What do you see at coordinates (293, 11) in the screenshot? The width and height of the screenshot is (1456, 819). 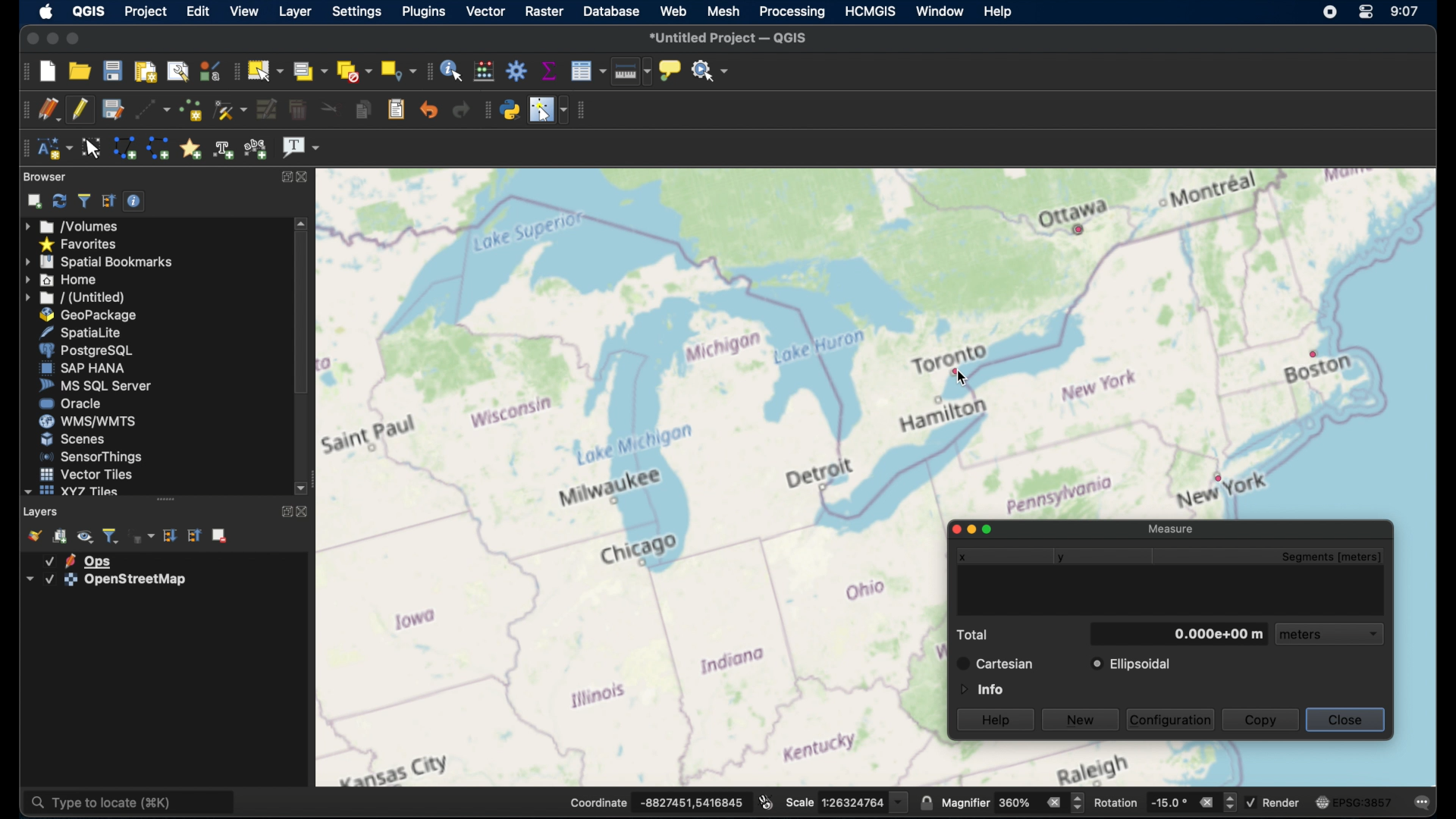 I see `layer` at bounding box center [293, 11].